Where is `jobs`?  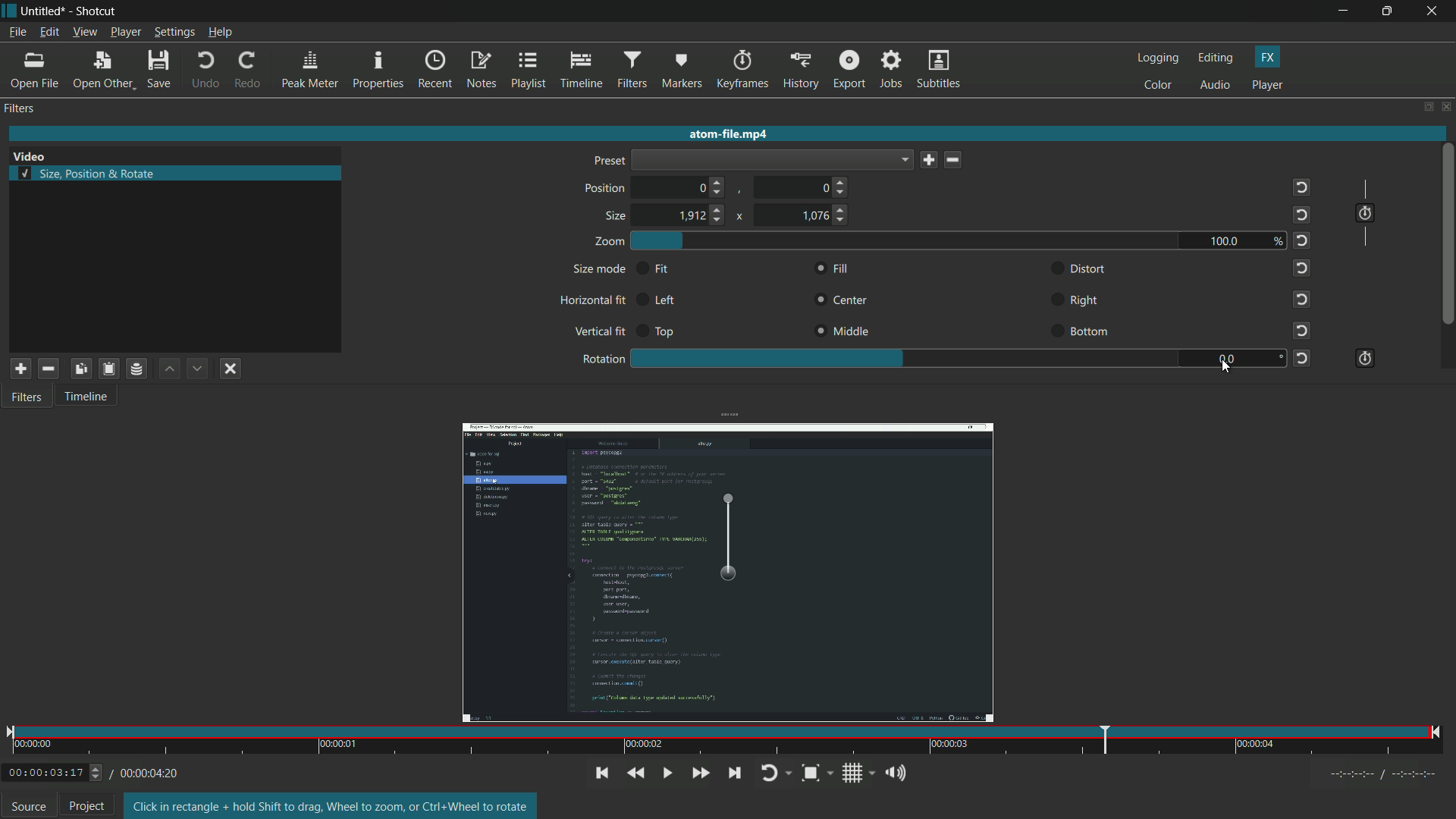 jobs is located at coordinates (890, 71).